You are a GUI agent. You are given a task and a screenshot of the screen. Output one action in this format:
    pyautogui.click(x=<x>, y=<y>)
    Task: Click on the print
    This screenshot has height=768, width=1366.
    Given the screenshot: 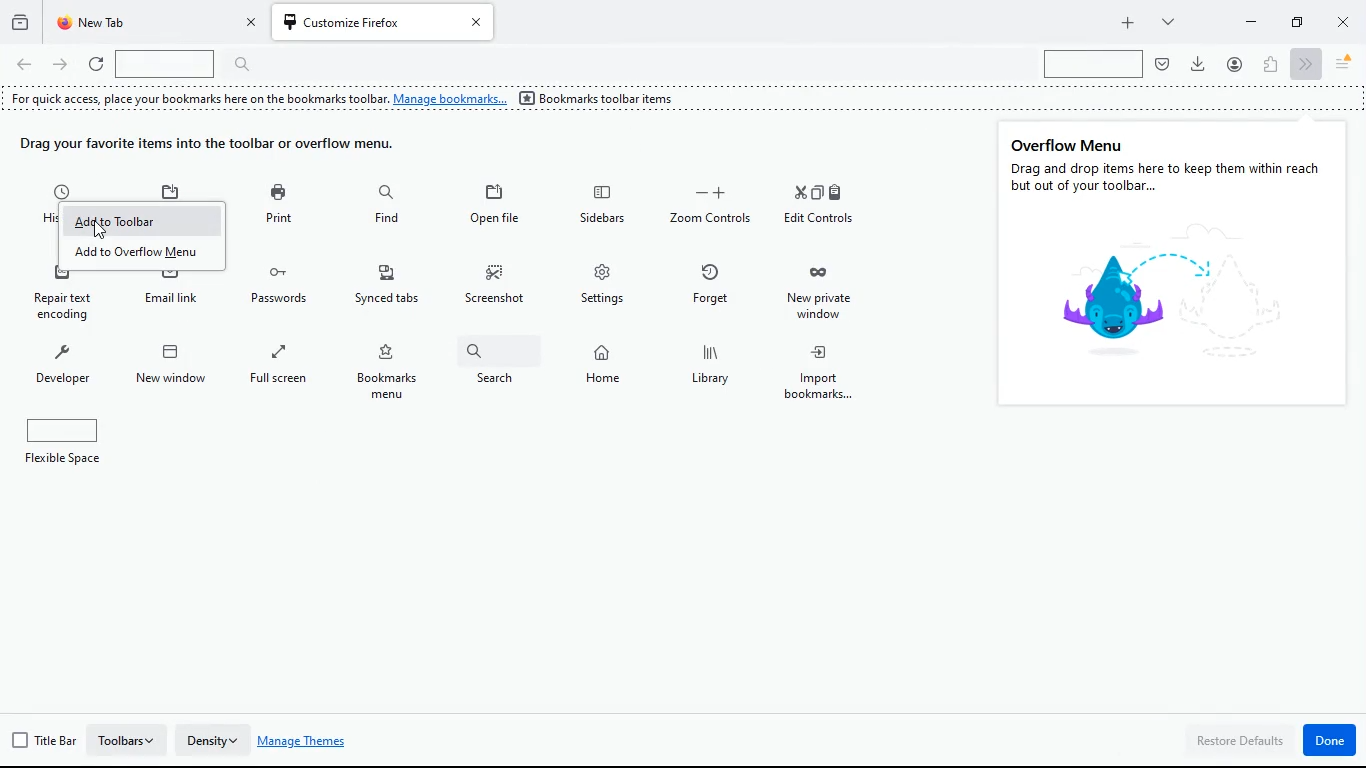 What is the action you would take?
    pyautogui.click(x=279, y=207)
    